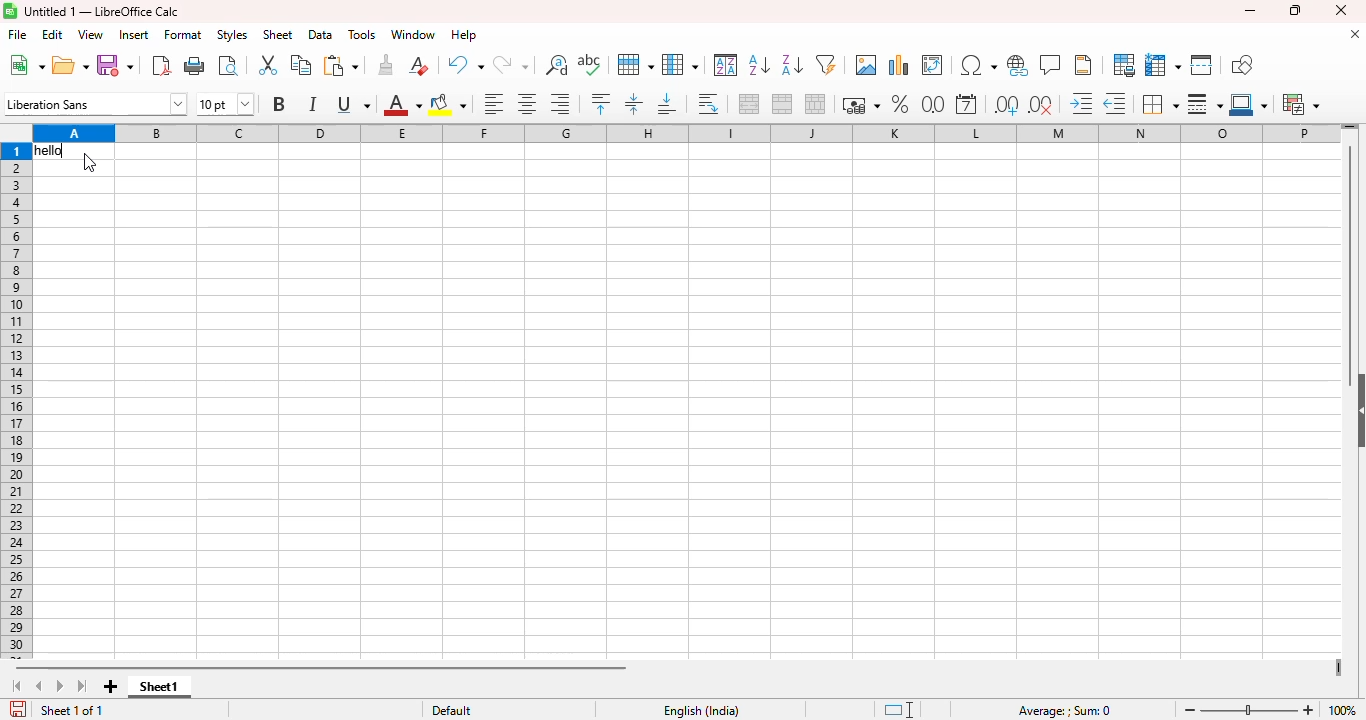 This screenshot has width=1366, height=720. Describe the element at coordinates (73, 710) in the screenshot. I see `sheet 1 of 1` at that location.